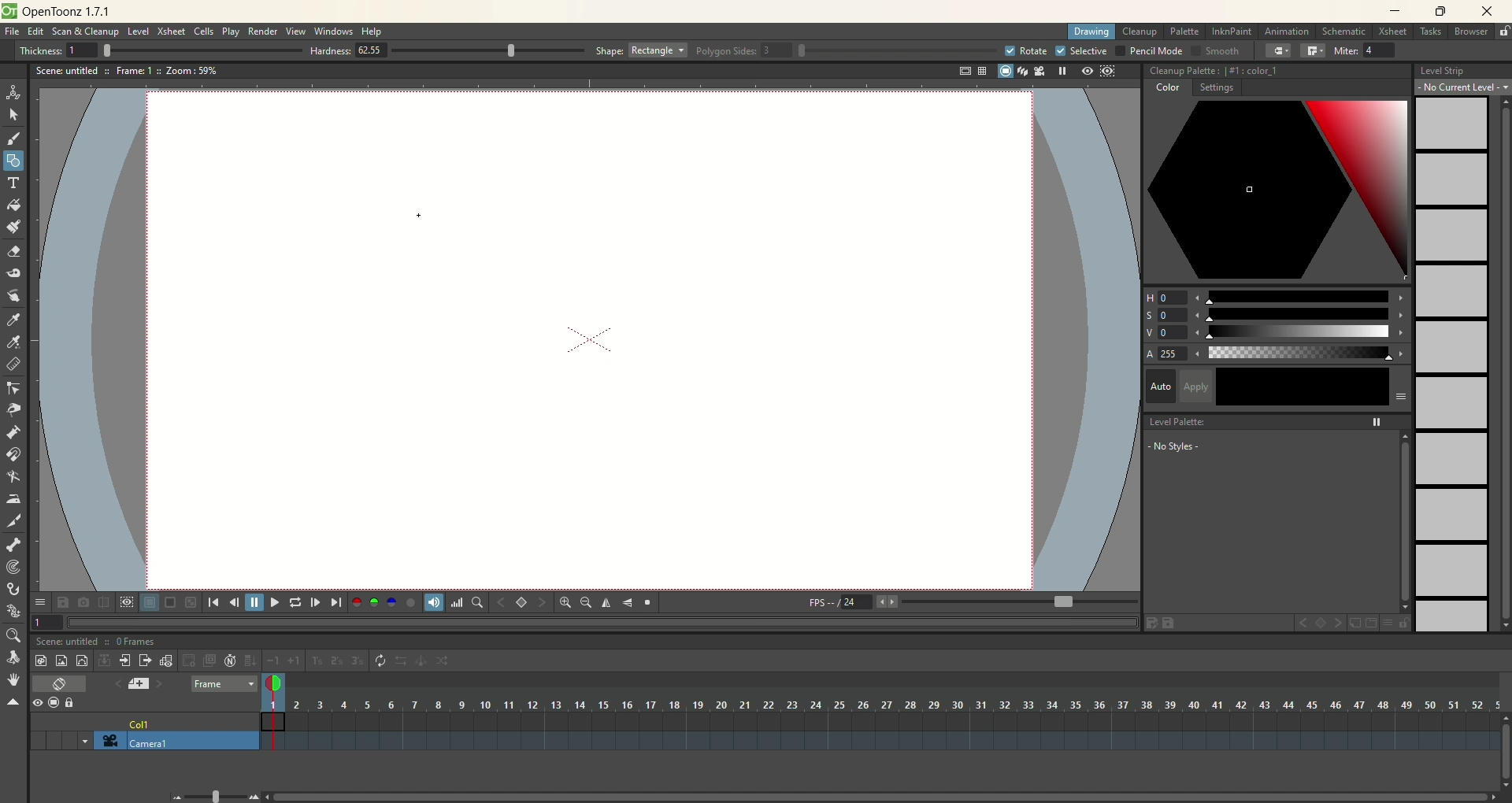  Describe the element at coordinates (114, 682) in the screenshot. I see `previous memo` at that location.